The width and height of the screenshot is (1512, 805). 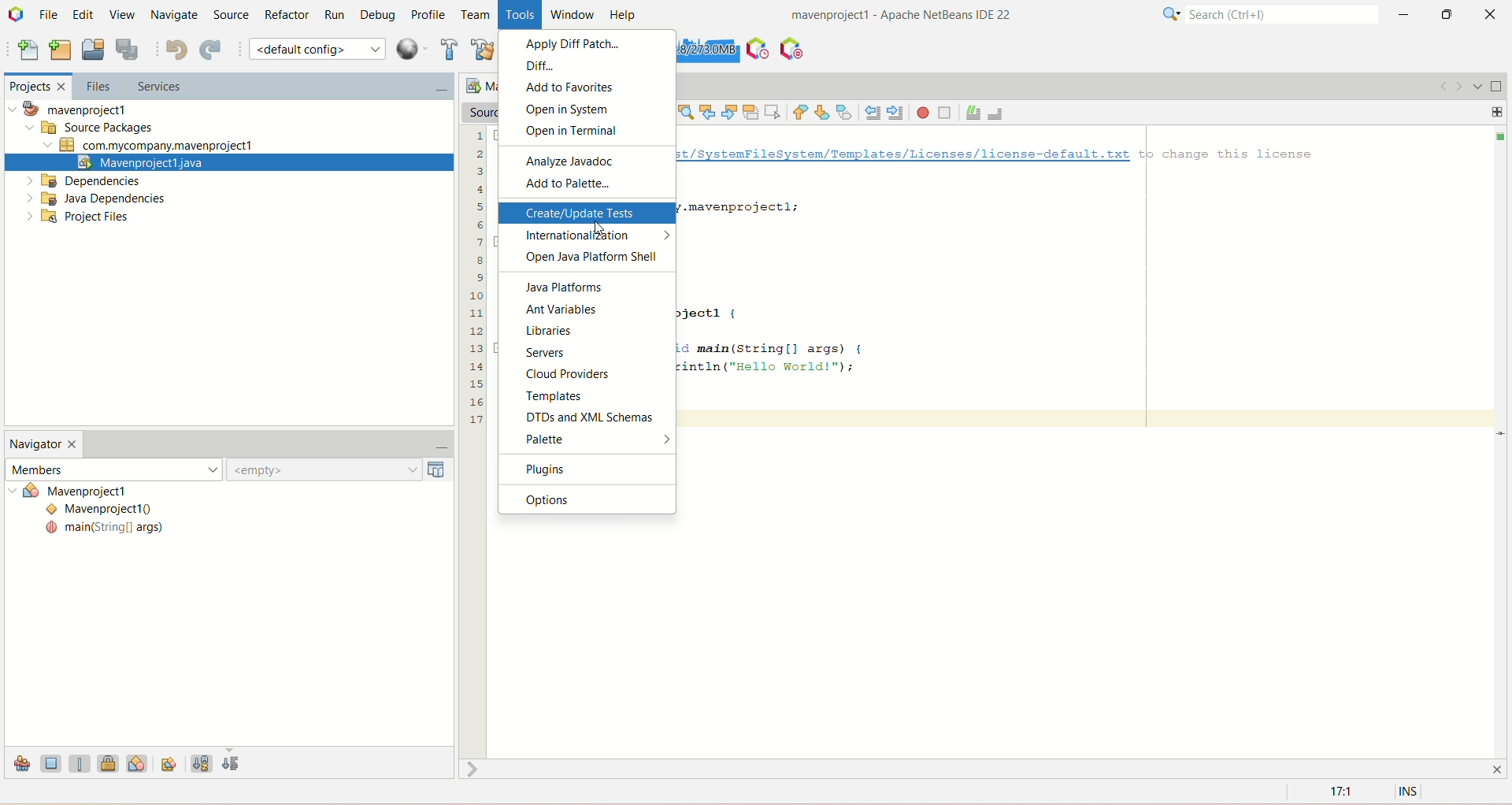 I want to click on services, so click(x=287, y=88).